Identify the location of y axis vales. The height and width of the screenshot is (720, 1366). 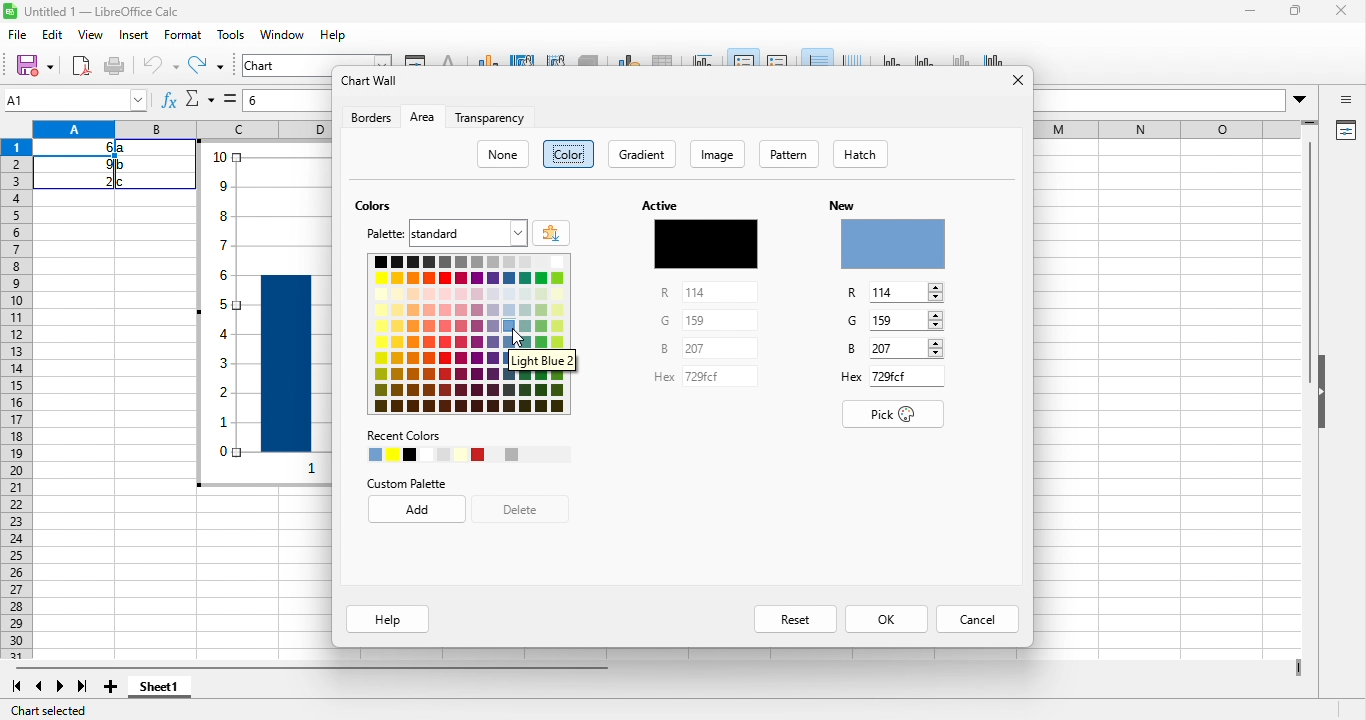
(223, 321).